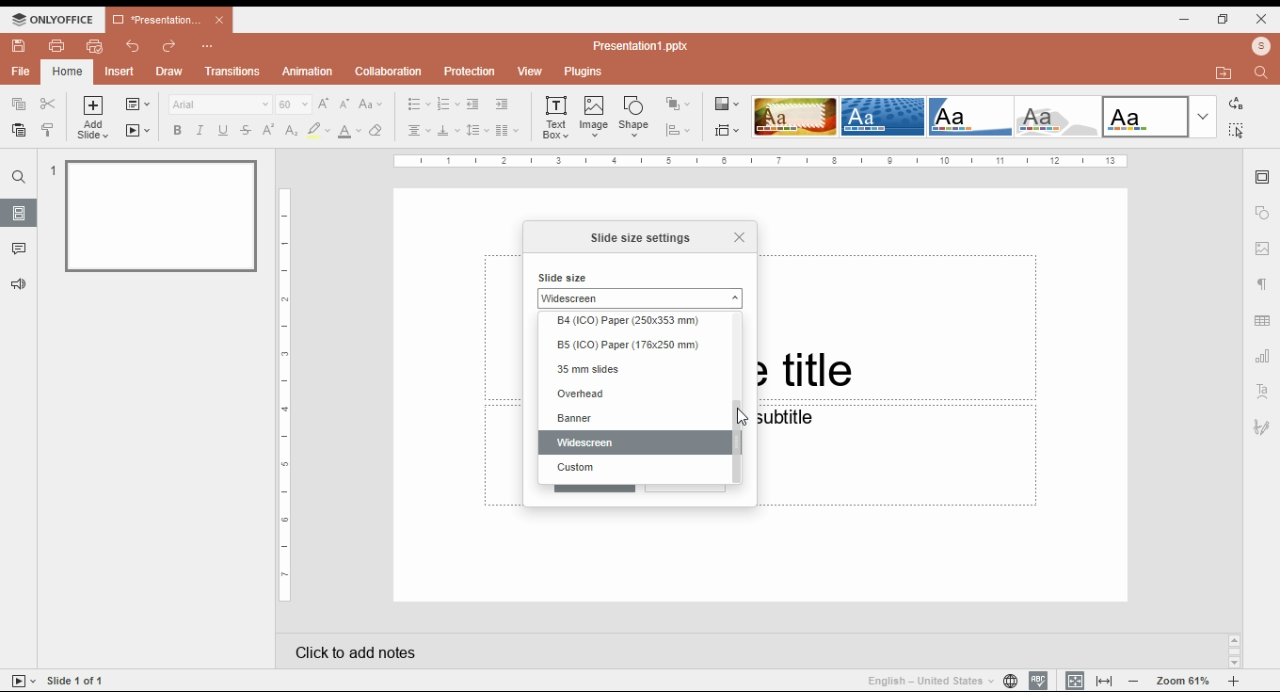 This screenshot has width=1280, height=692. Describe the element at coordinates (639, 298) in the screenshot. I see `Widescreen` at that location.